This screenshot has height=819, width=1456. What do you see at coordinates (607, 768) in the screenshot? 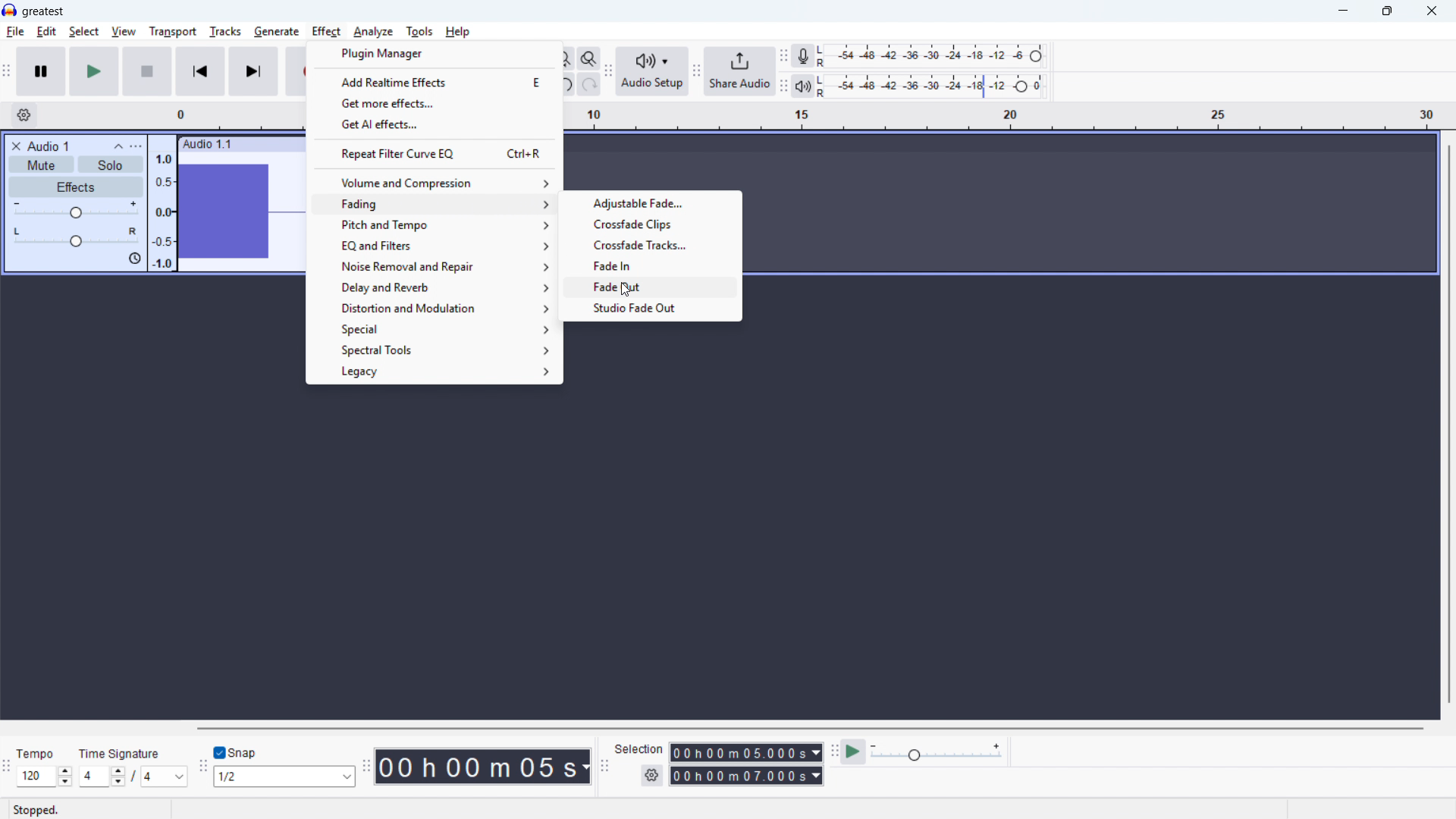
I see `Selection toolbar ` at bounding box center [607, 768].